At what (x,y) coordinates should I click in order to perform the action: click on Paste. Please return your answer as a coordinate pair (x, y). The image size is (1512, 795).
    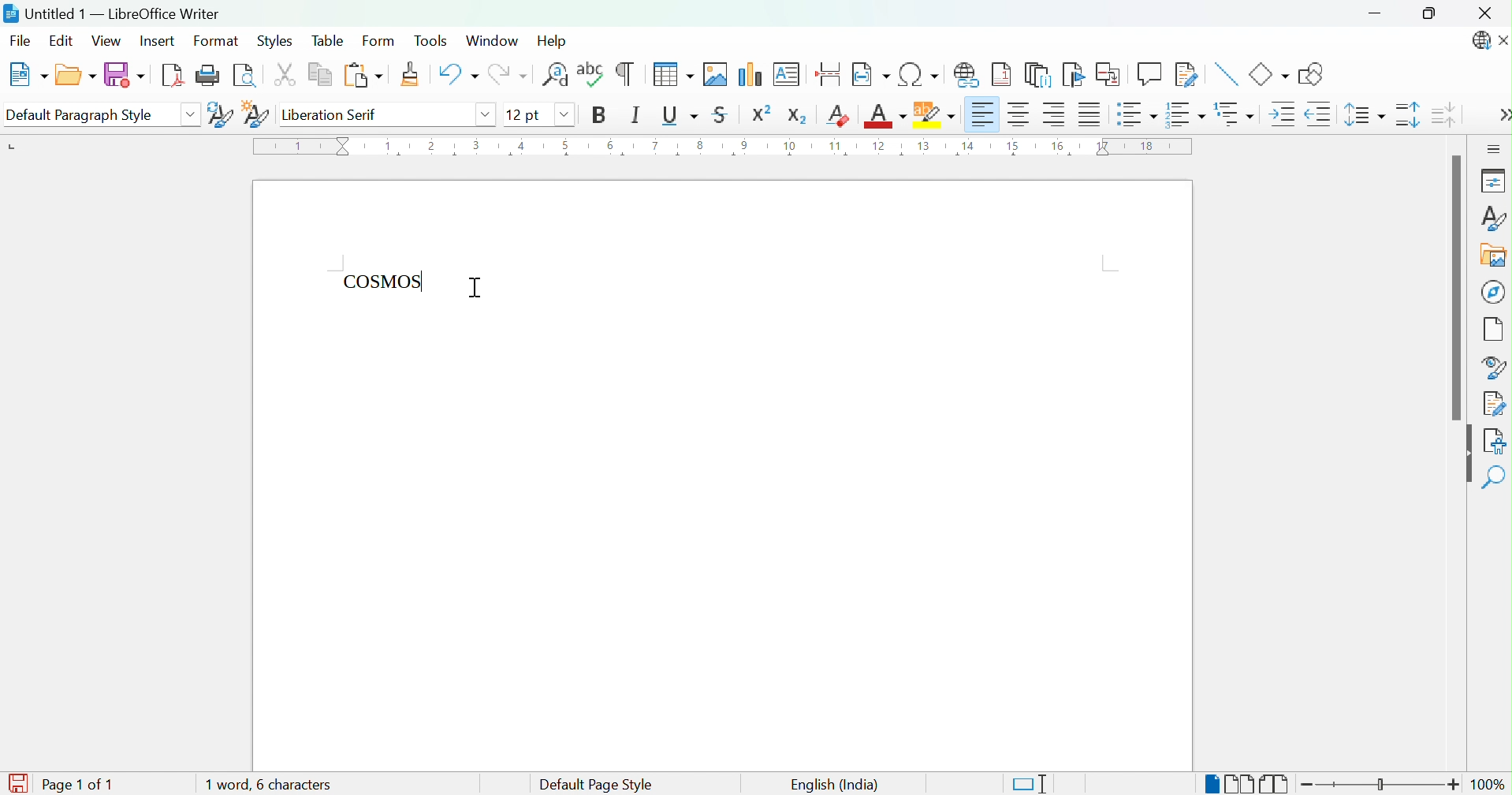
    Looking at the image, I should click on (361, 76).